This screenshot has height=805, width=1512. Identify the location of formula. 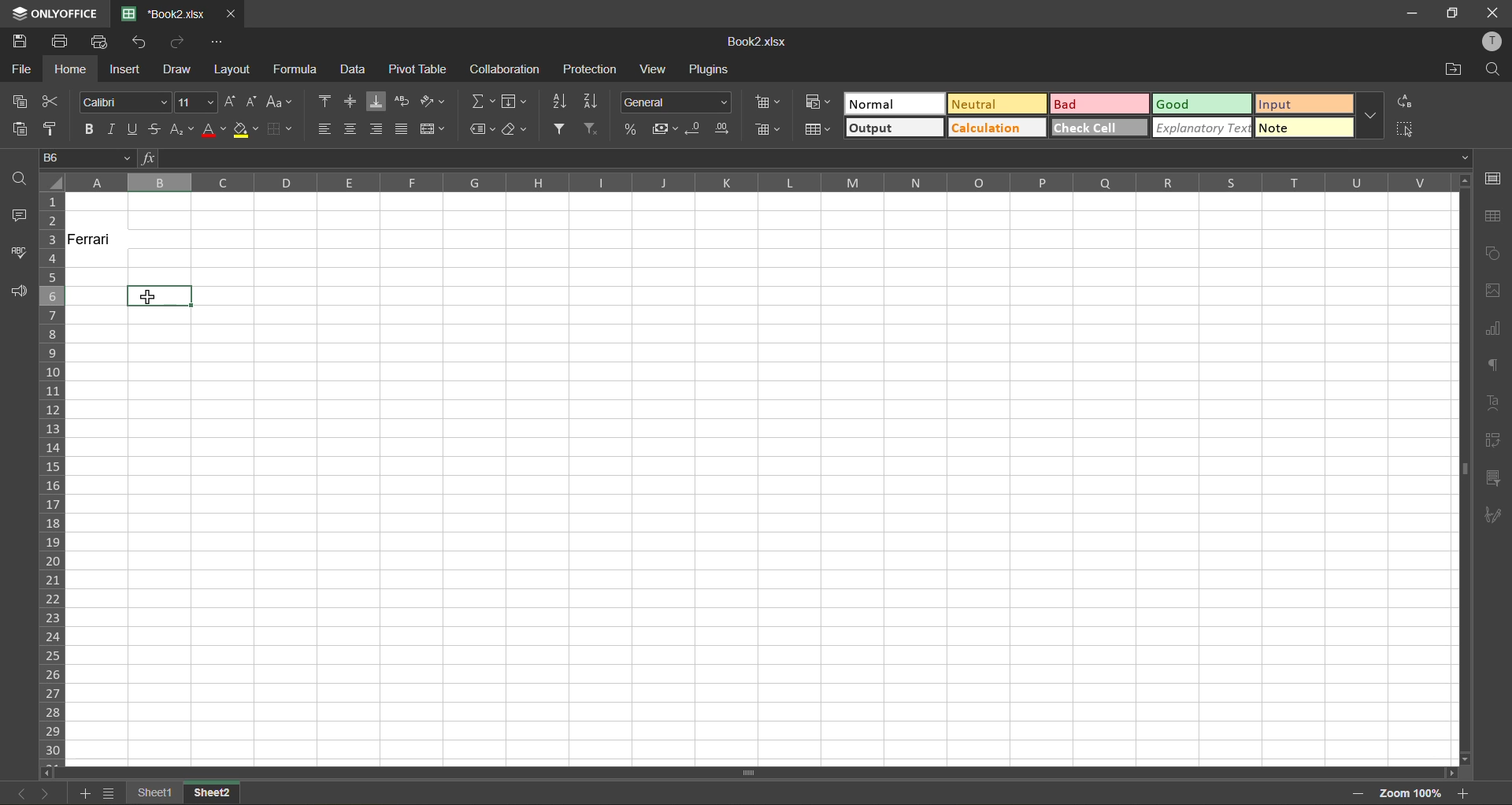
(299, 69).